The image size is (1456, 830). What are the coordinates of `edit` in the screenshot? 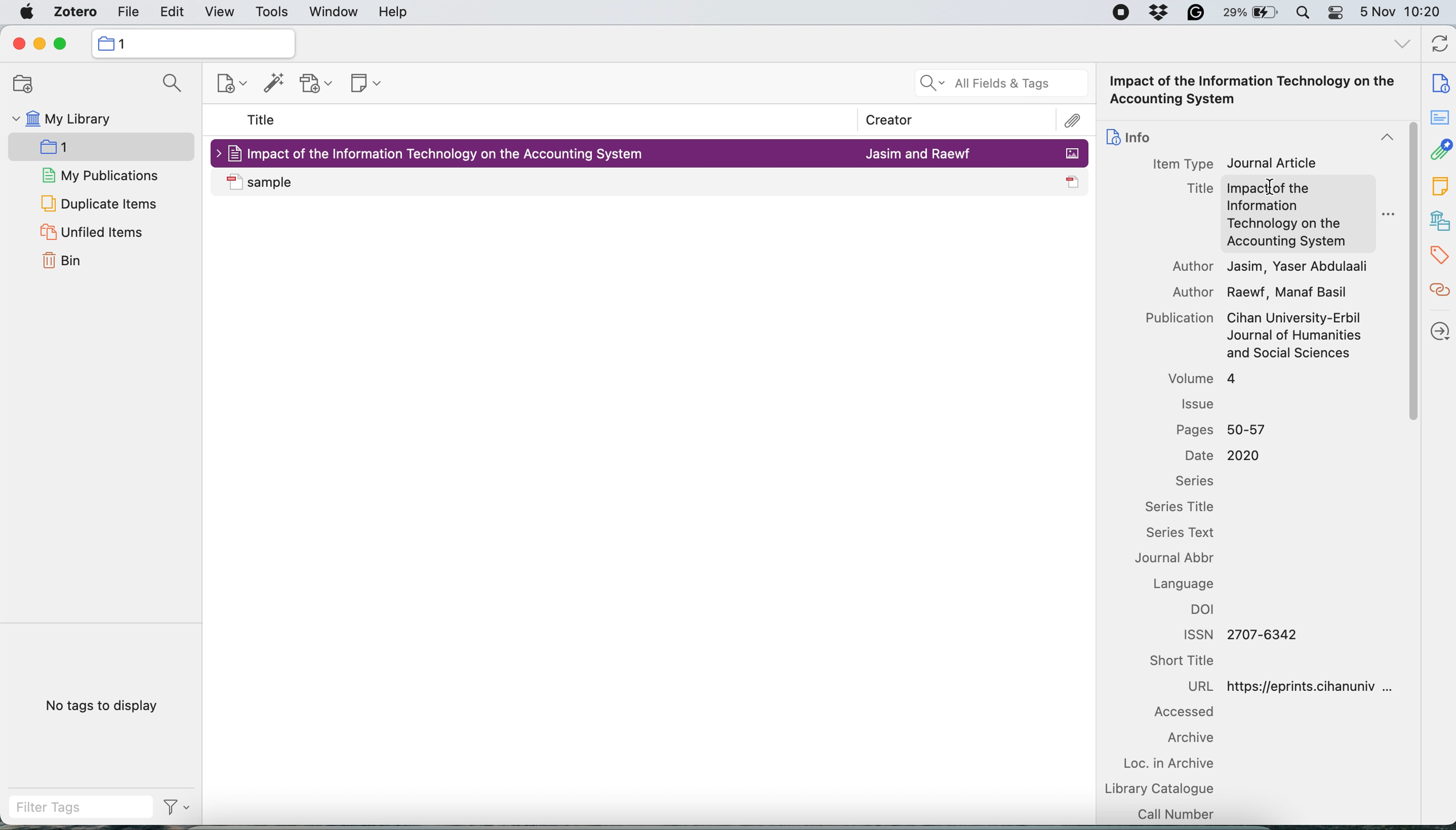 It's located at (172, 13).